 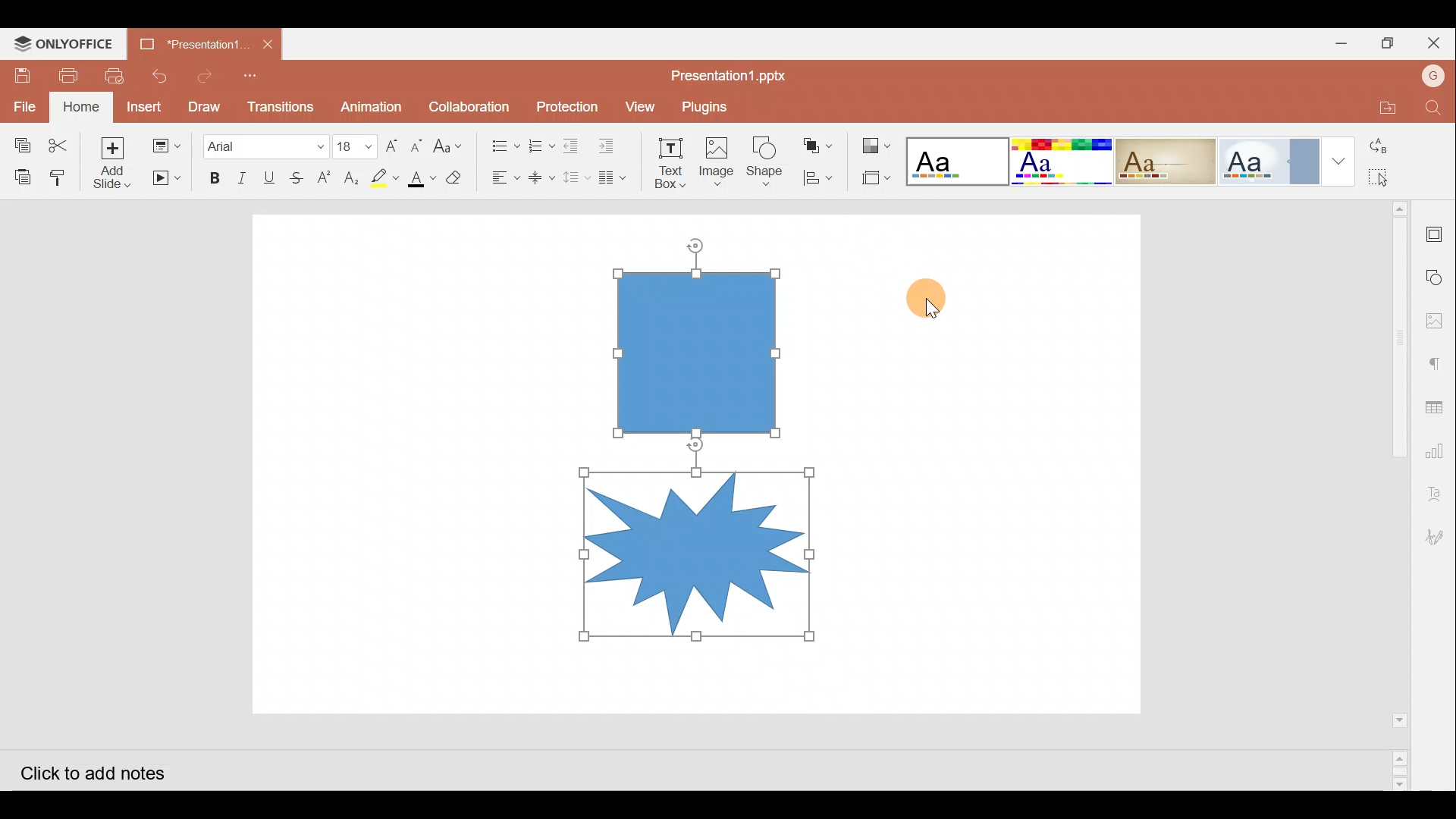 I want to click on Strikethrough, so click(x=300, y=175).